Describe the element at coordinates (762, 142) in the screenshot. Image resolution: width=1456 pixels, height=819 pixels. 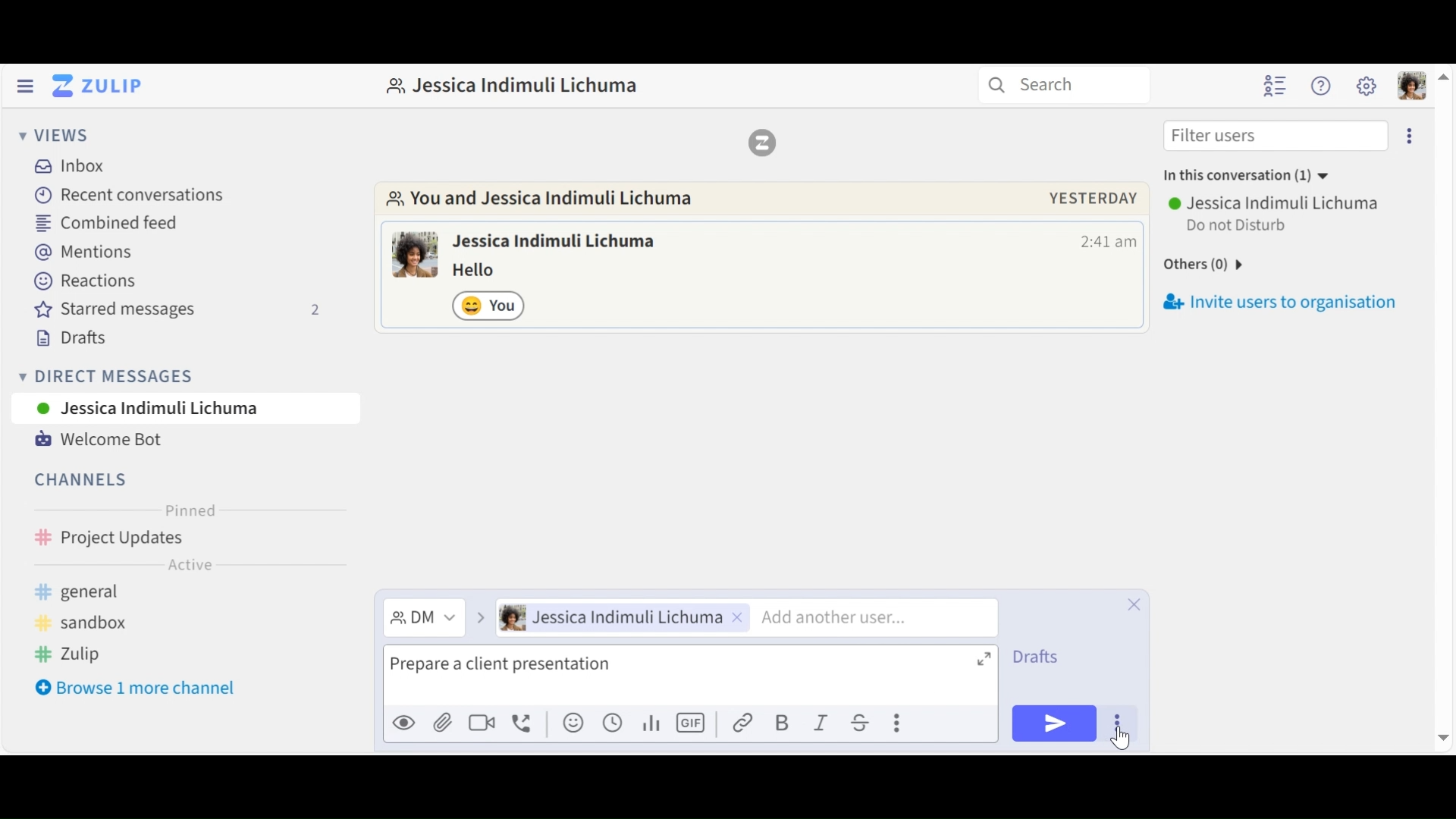
I see `Zulip` at that location.